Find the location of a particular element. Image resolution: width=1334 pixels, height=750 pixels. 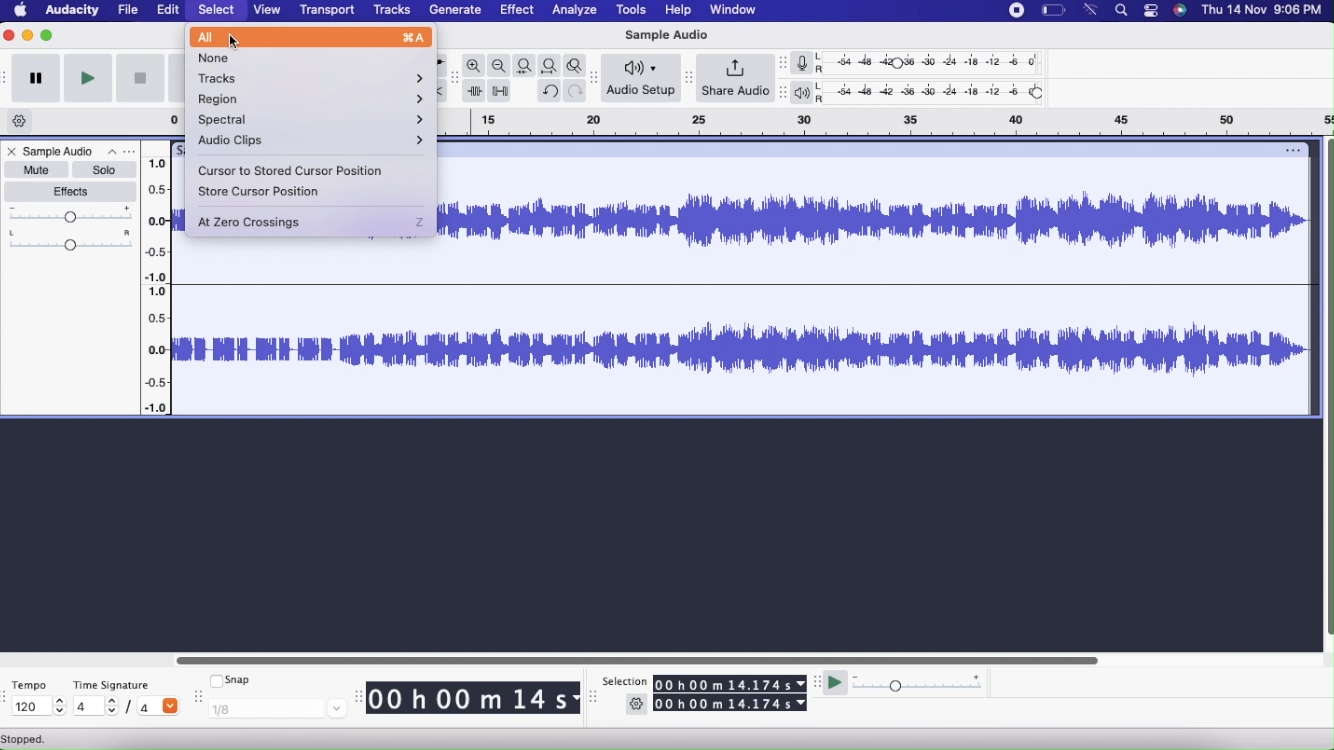

Audacity is located at coordinates (72, 10).